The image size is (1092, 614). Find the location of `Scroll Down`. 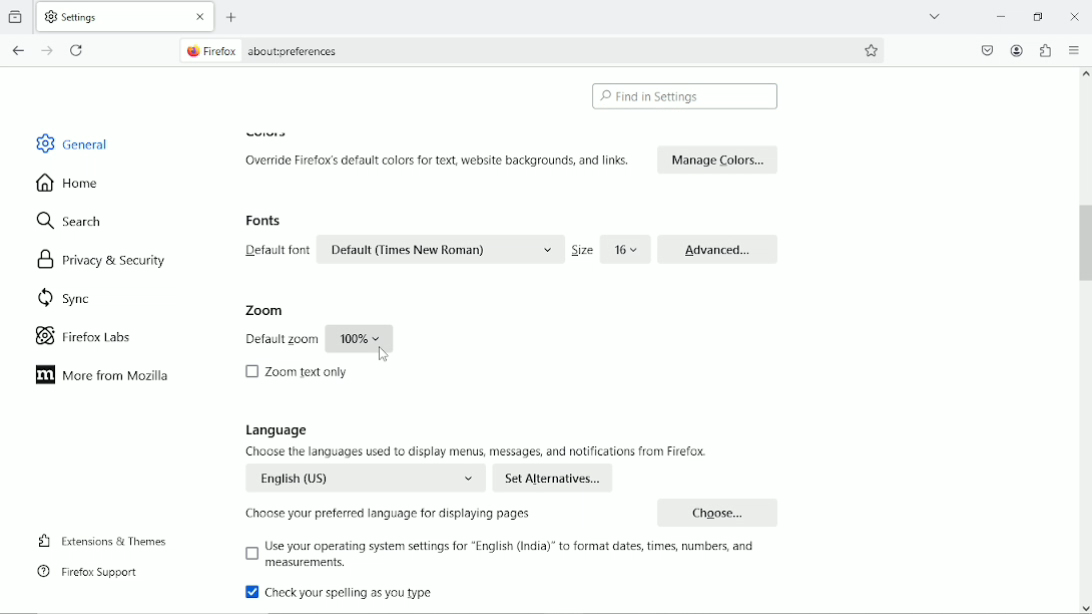

Scroll Down is located at coordinates (1085, 608).